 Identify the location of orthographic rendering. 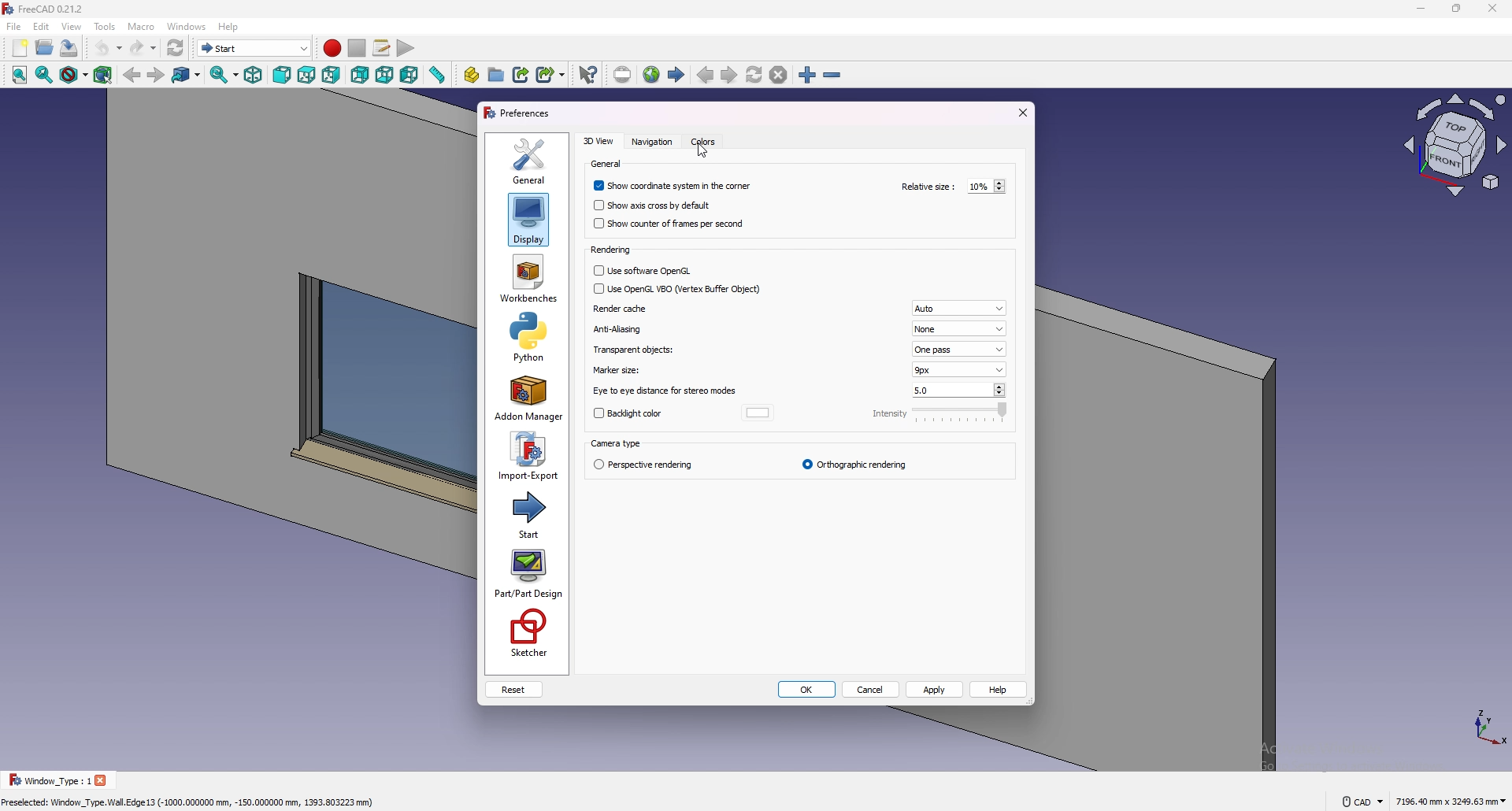
(858, 463).